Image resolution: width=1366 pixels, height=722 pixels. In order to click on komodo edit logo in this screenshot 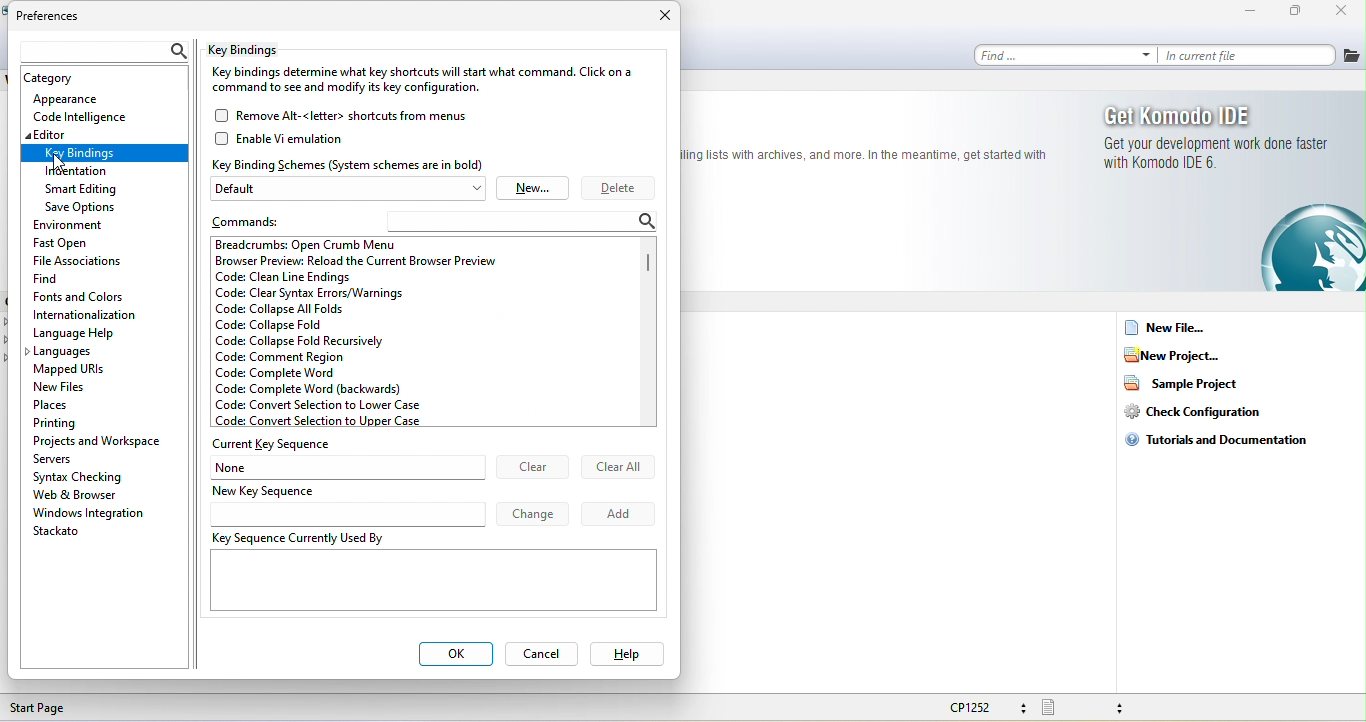, I will do `click(1291, 247)`.